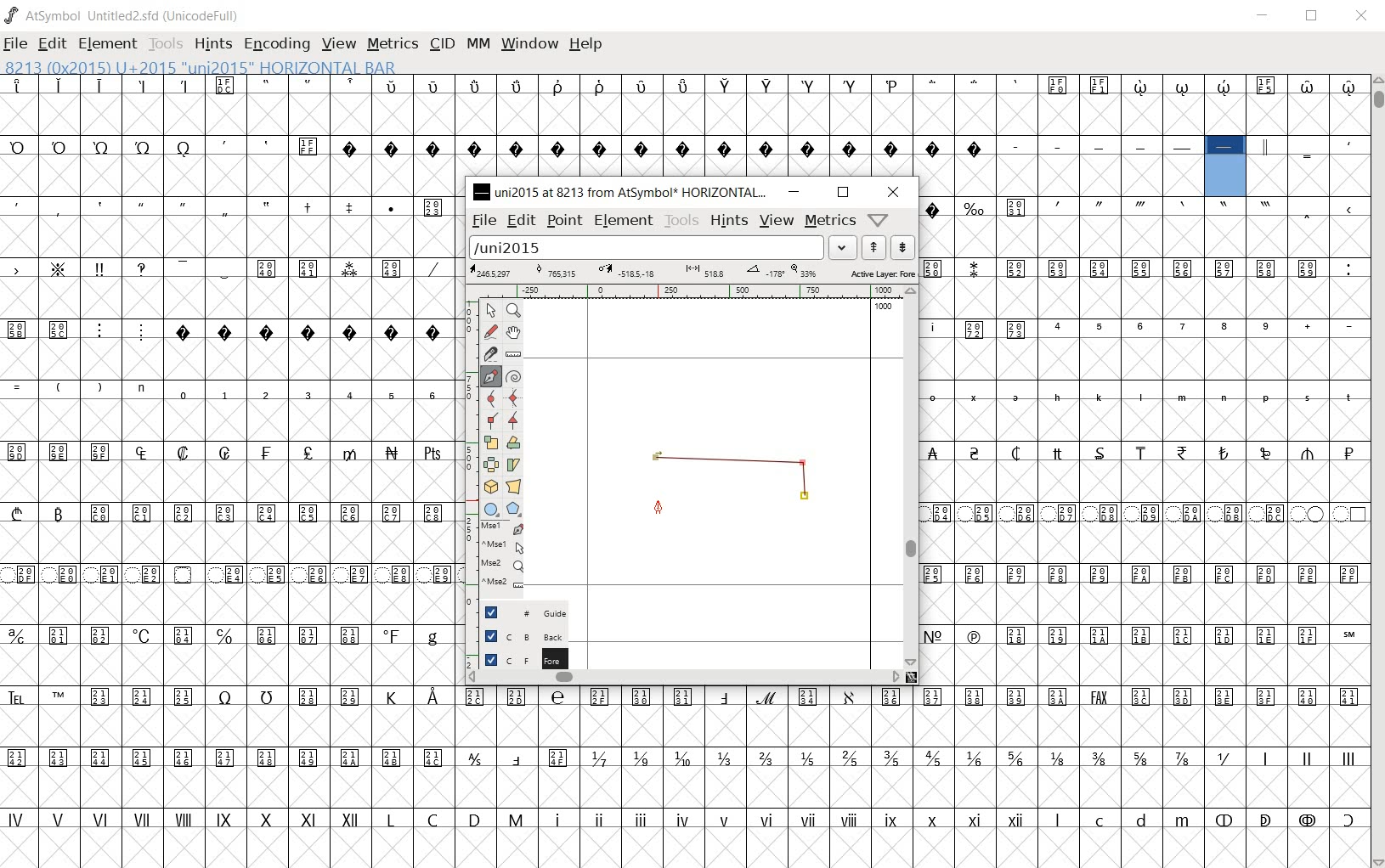 The image size is (1385, 868). What do you see at coordinates (199, 67) in the screenshot?
I see `8213 (0x2015) U+2015 "uni2015" HORIZONTAL BAR` at bounding box center [199, 67].